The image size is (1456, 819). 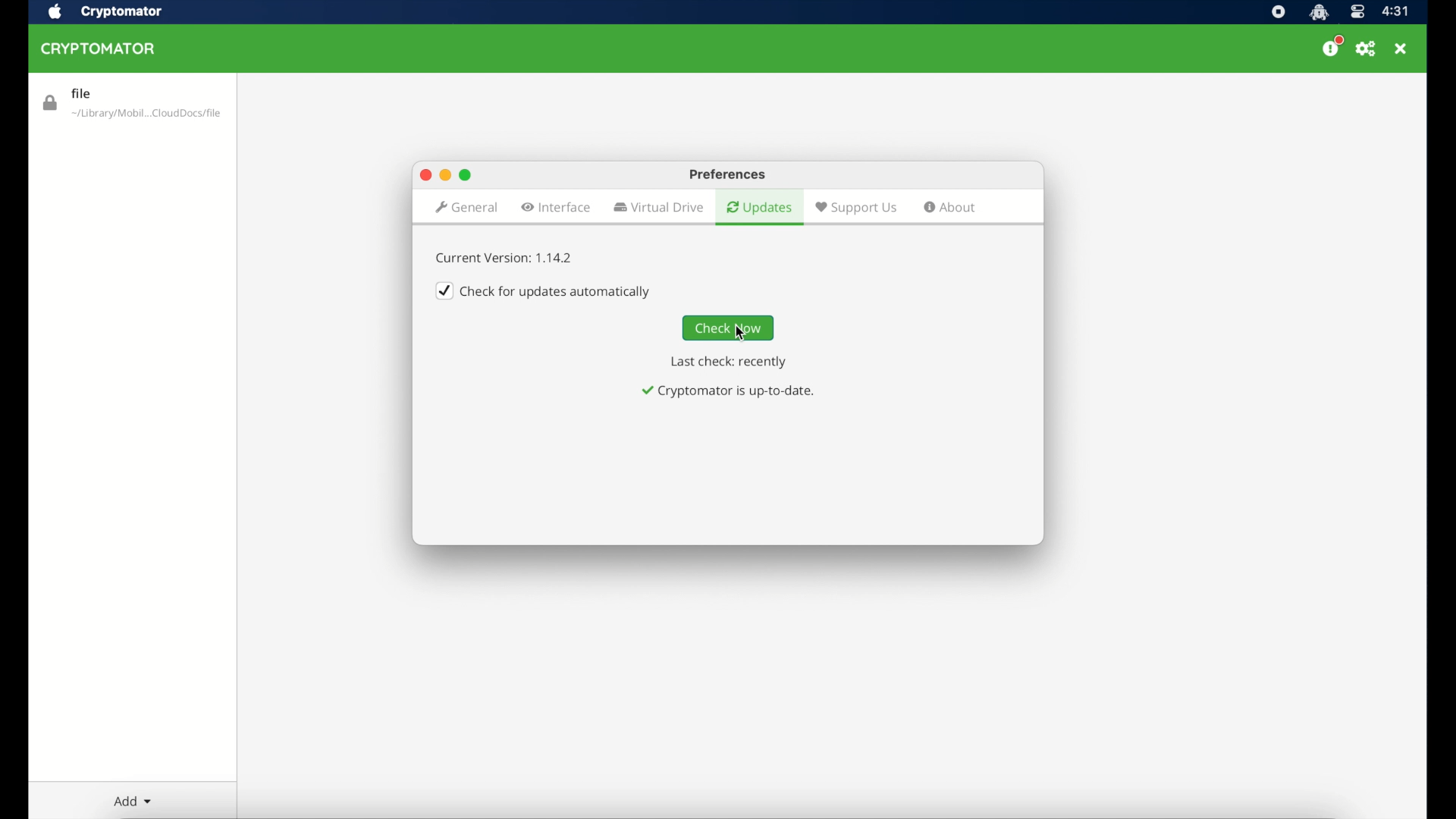 I want to click on minimize, so click(x=445, y=175).